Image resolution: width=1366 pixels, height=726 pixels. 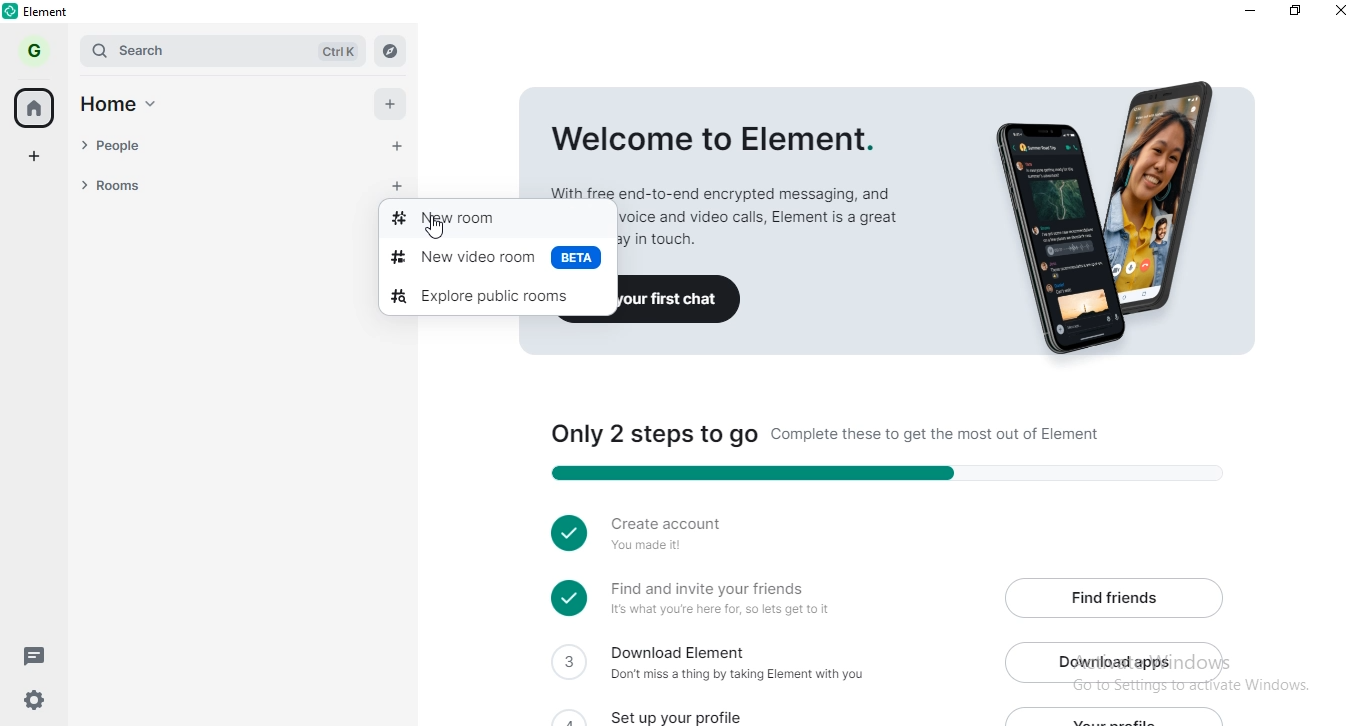 What do you see at coordinates (221, 148) in the screenshot?
I see `people` at bounding box center [221, 148].